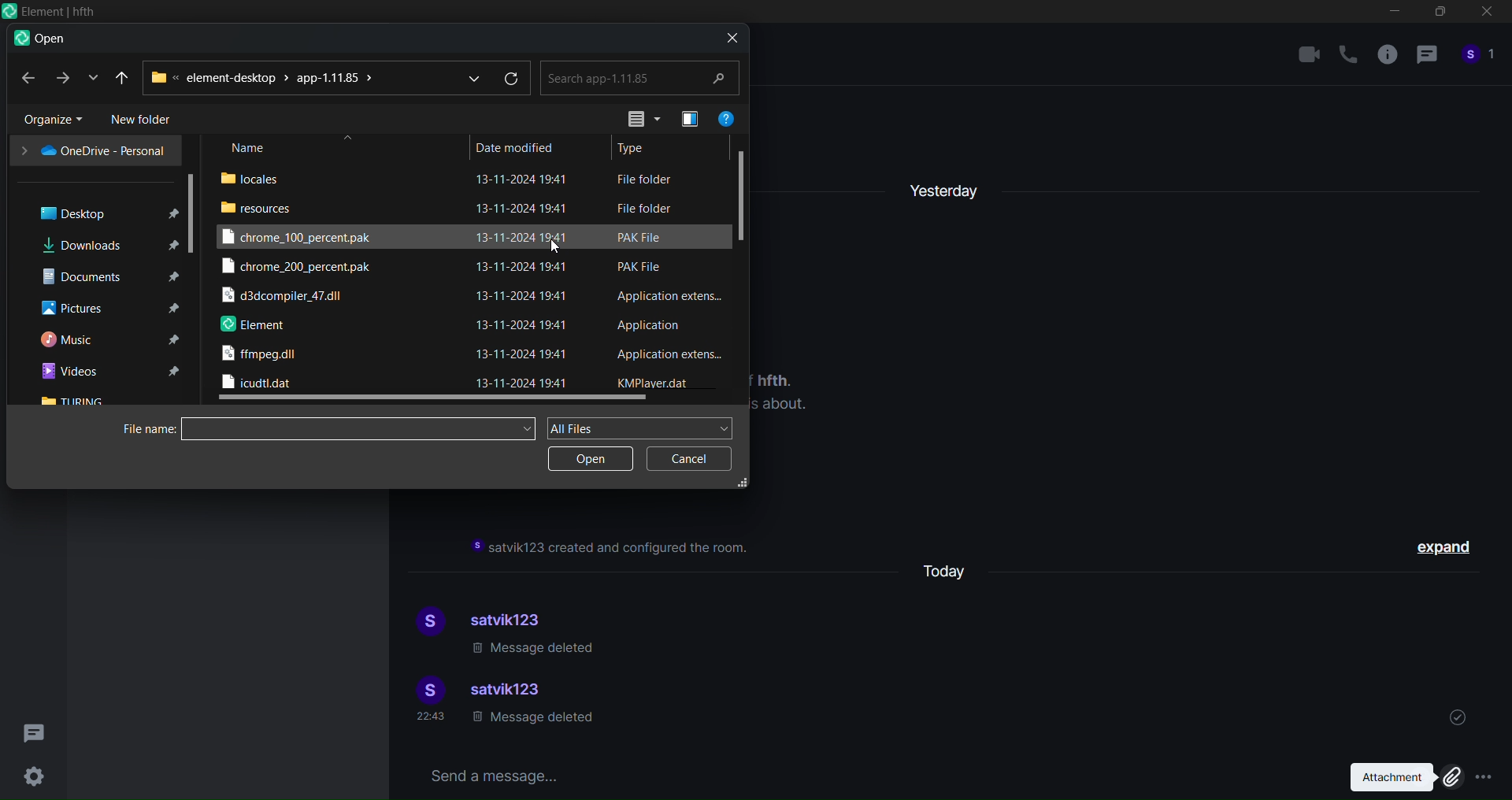 This screenshot has width=1512, height=800. I want to click on close dialog, so click(728, 37).